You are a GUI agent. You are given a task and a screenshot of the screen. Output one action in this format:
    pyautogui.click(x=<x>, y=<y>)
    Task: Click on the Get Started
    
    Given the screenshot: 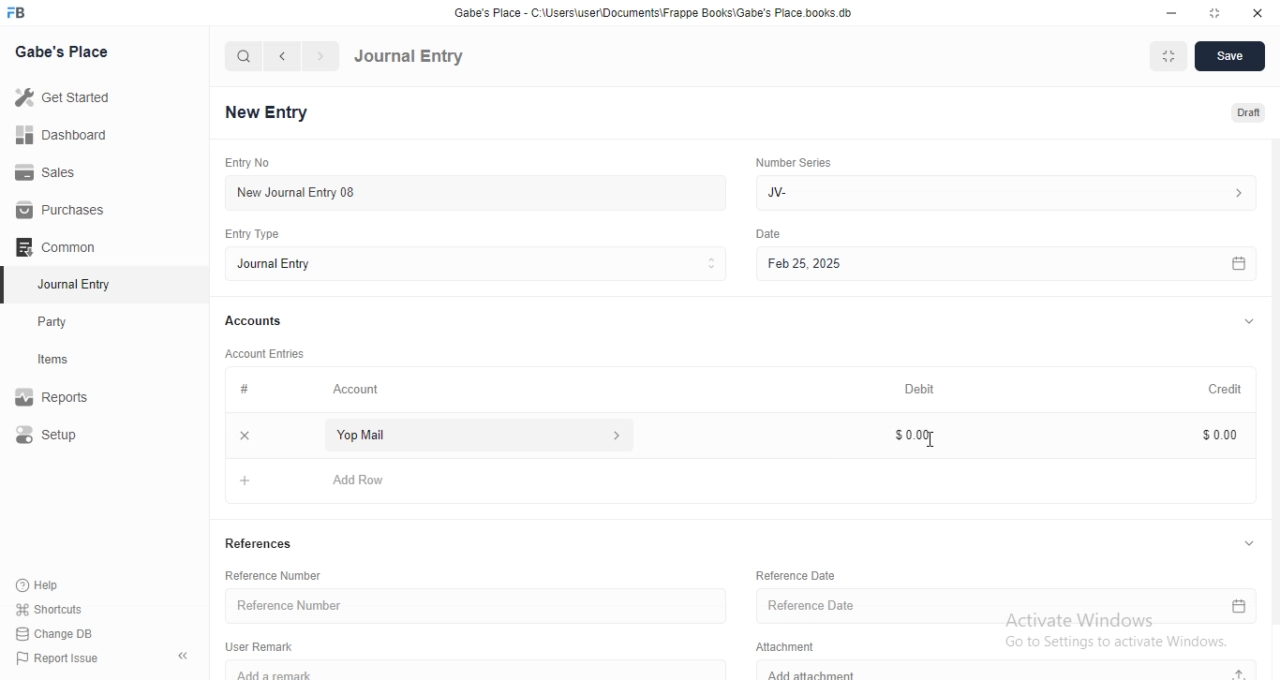 What is the action you would take?
    pyautogui.click(x=68, y=101)
    